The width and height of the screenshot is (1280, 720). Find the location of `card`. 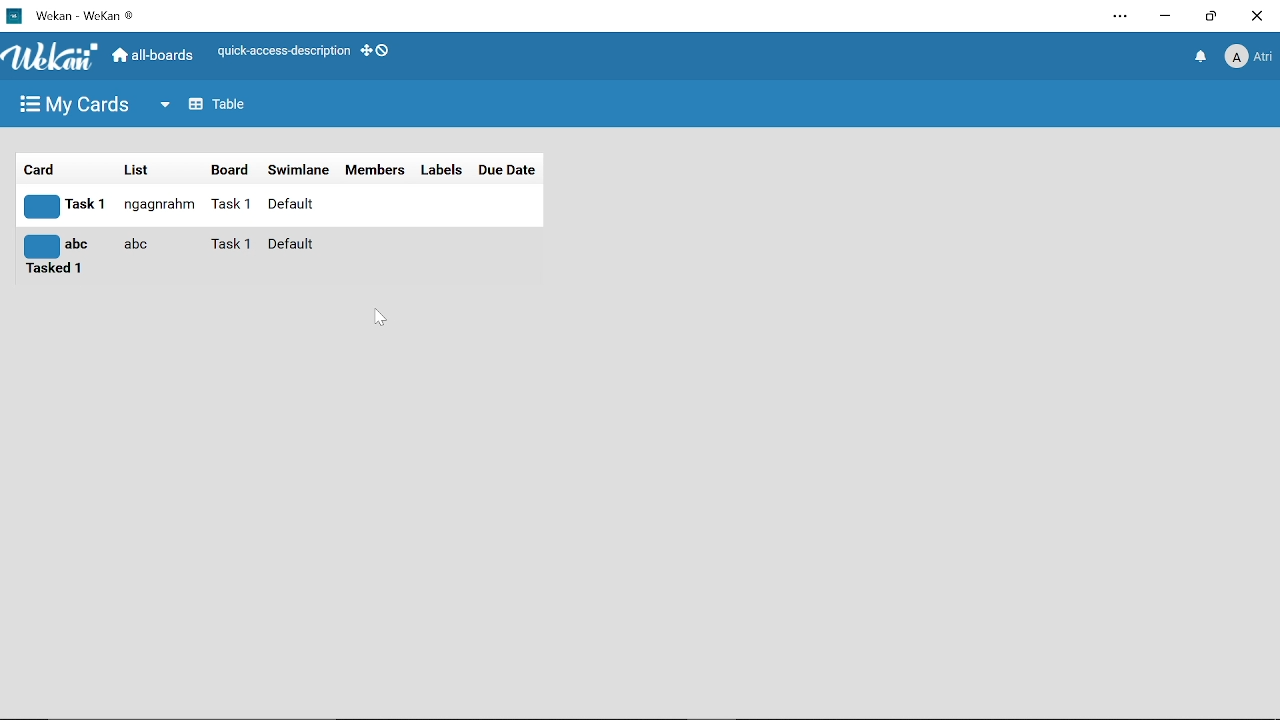

card is located at coordinates (44, 169).